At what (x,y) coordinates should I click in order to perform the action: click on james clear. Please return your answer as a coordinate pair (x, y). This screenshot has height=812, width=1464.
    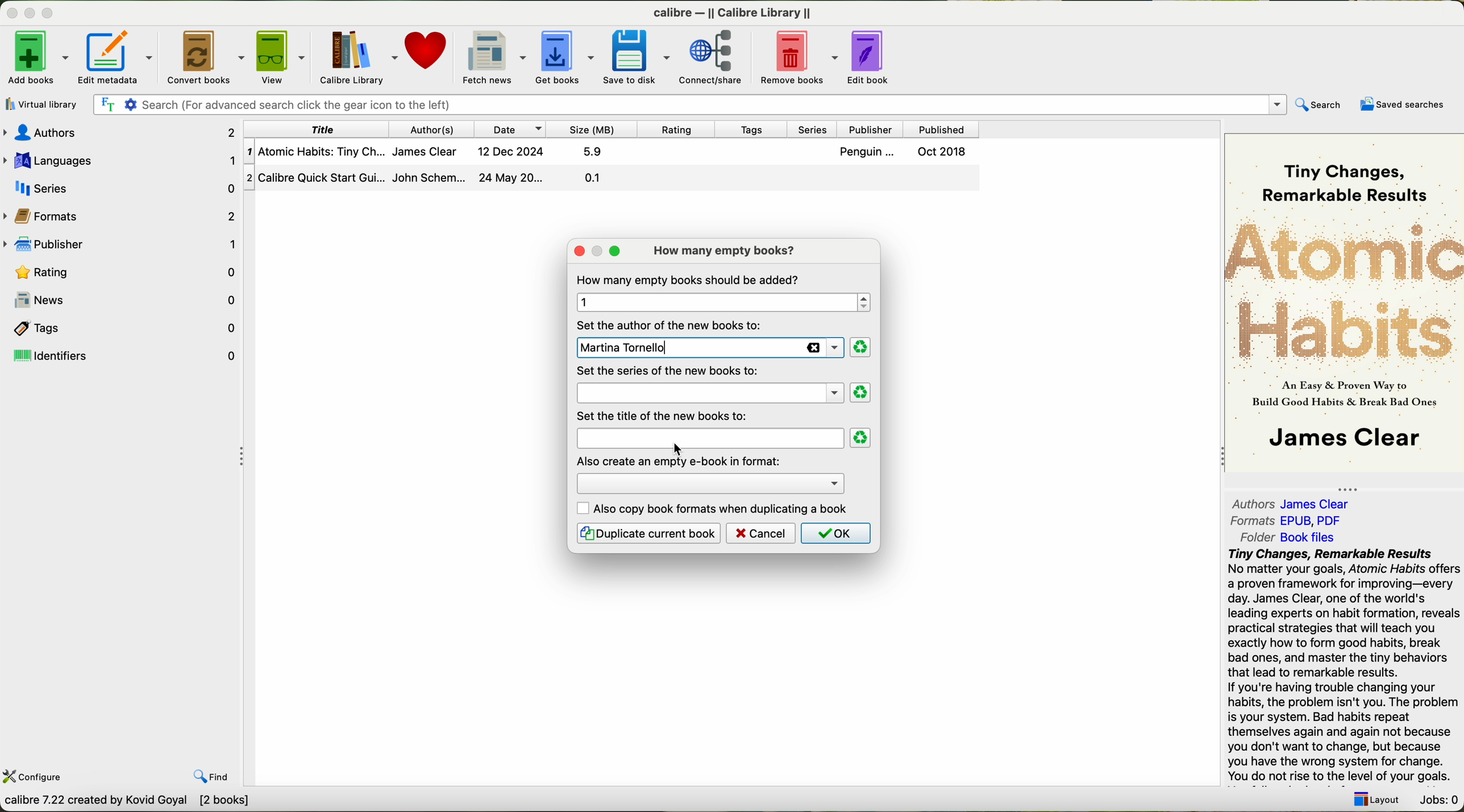
    Looking at the image, I should click on (710, 372).